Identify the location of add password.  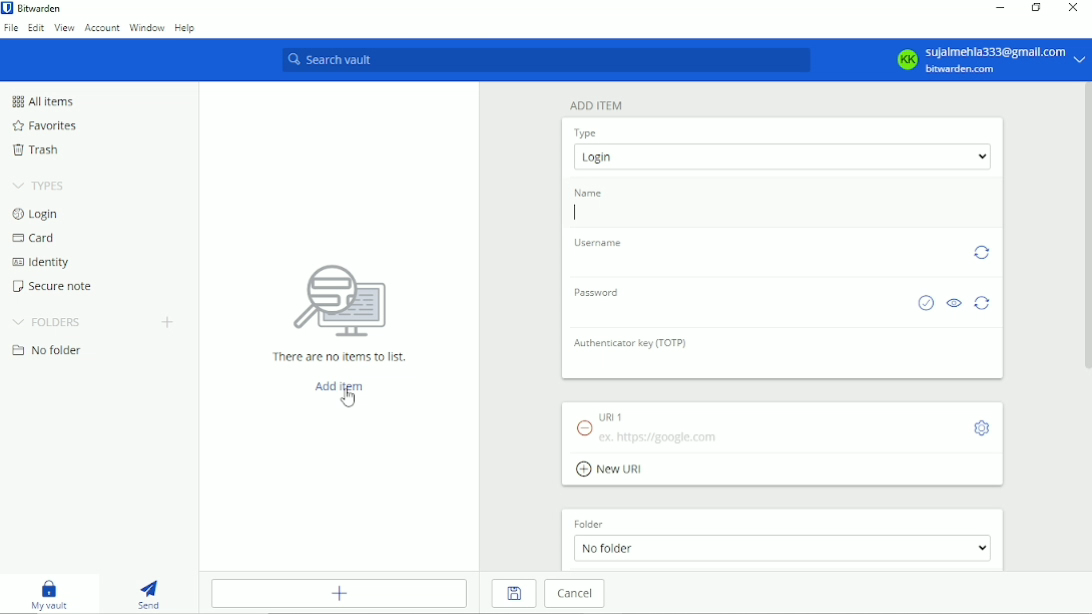
(736, 311).